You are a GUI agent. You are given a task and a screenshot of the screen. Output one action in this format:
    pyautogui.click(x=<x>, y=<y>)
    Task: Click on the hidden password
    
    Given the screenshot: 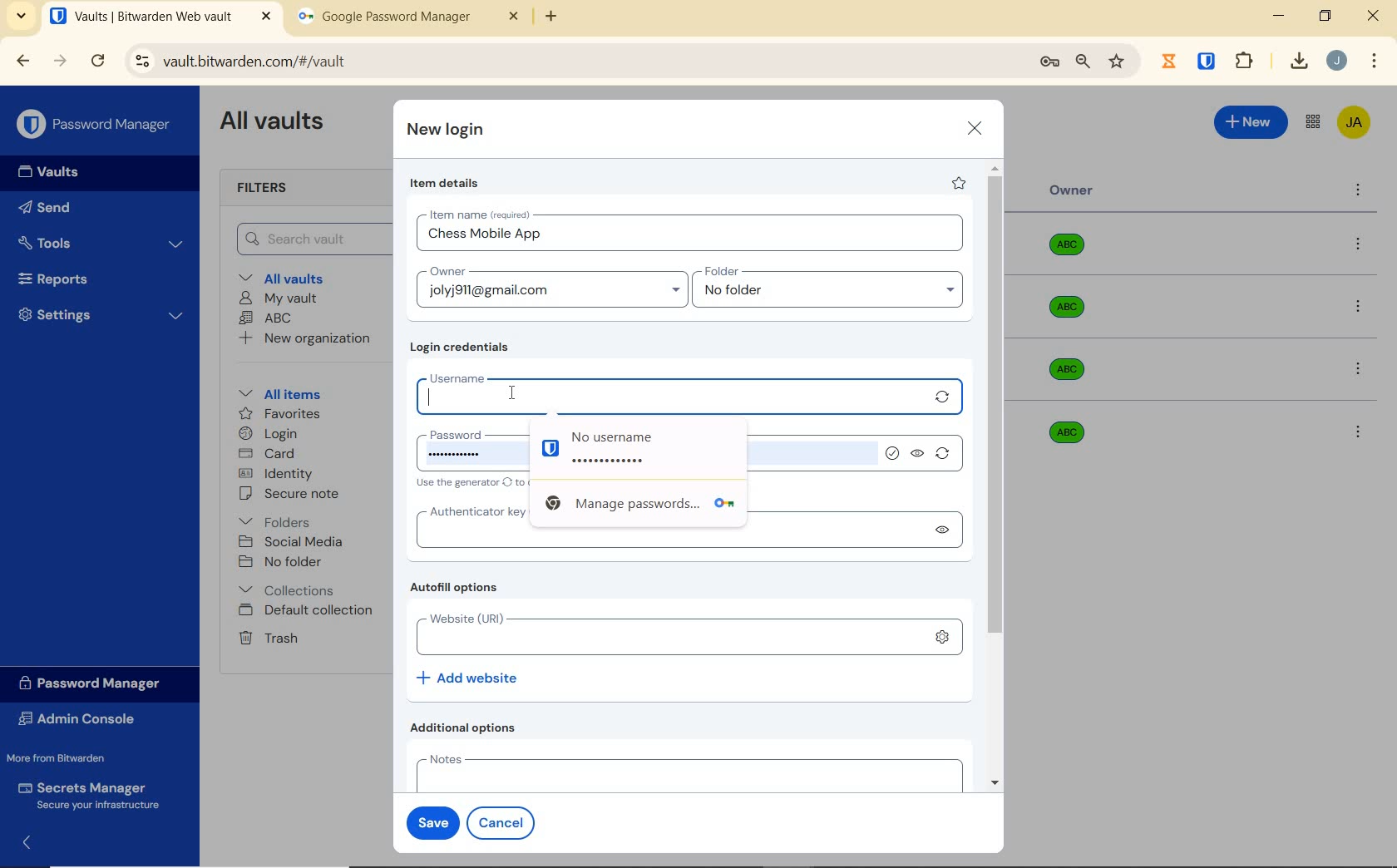 What is the action you would take?
    pyautogui.click(x=462, y=460)
    